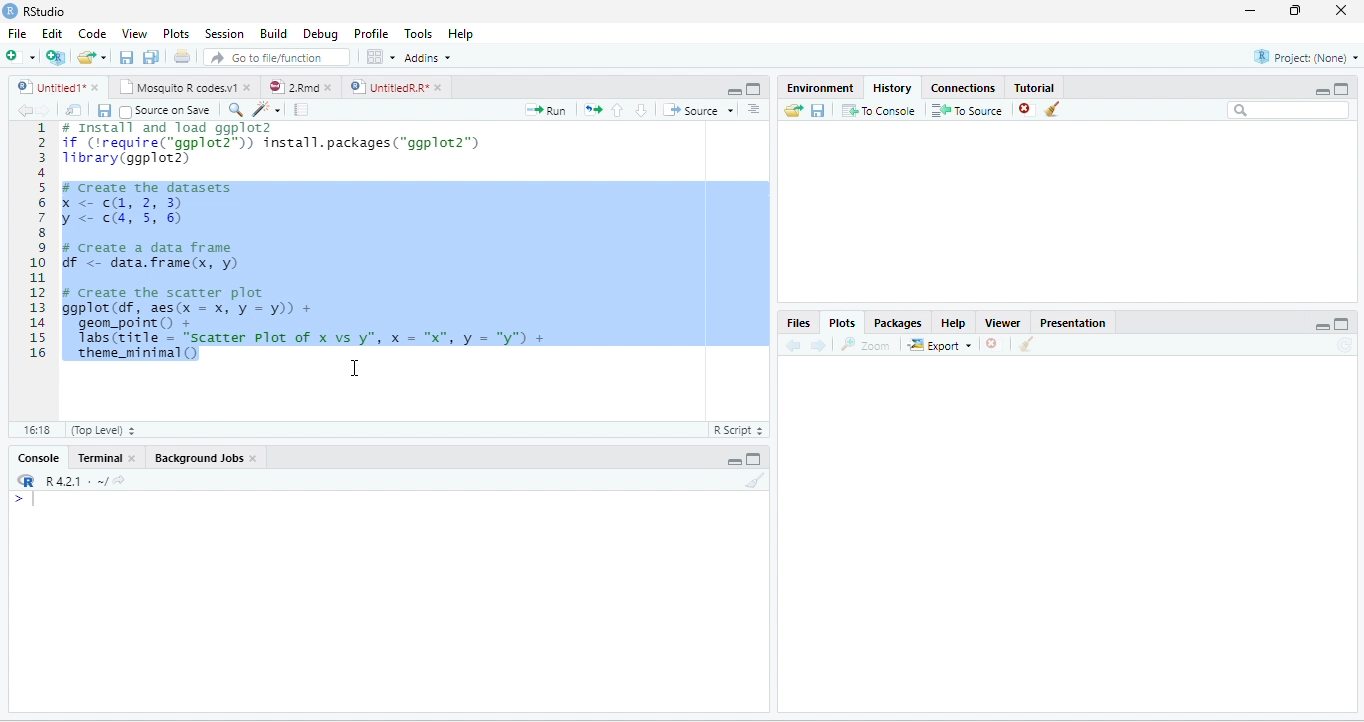 The image size is (1364, 722). Describe the element at coordinates (697, 110) in the screenshot. I see `Source` at that location.